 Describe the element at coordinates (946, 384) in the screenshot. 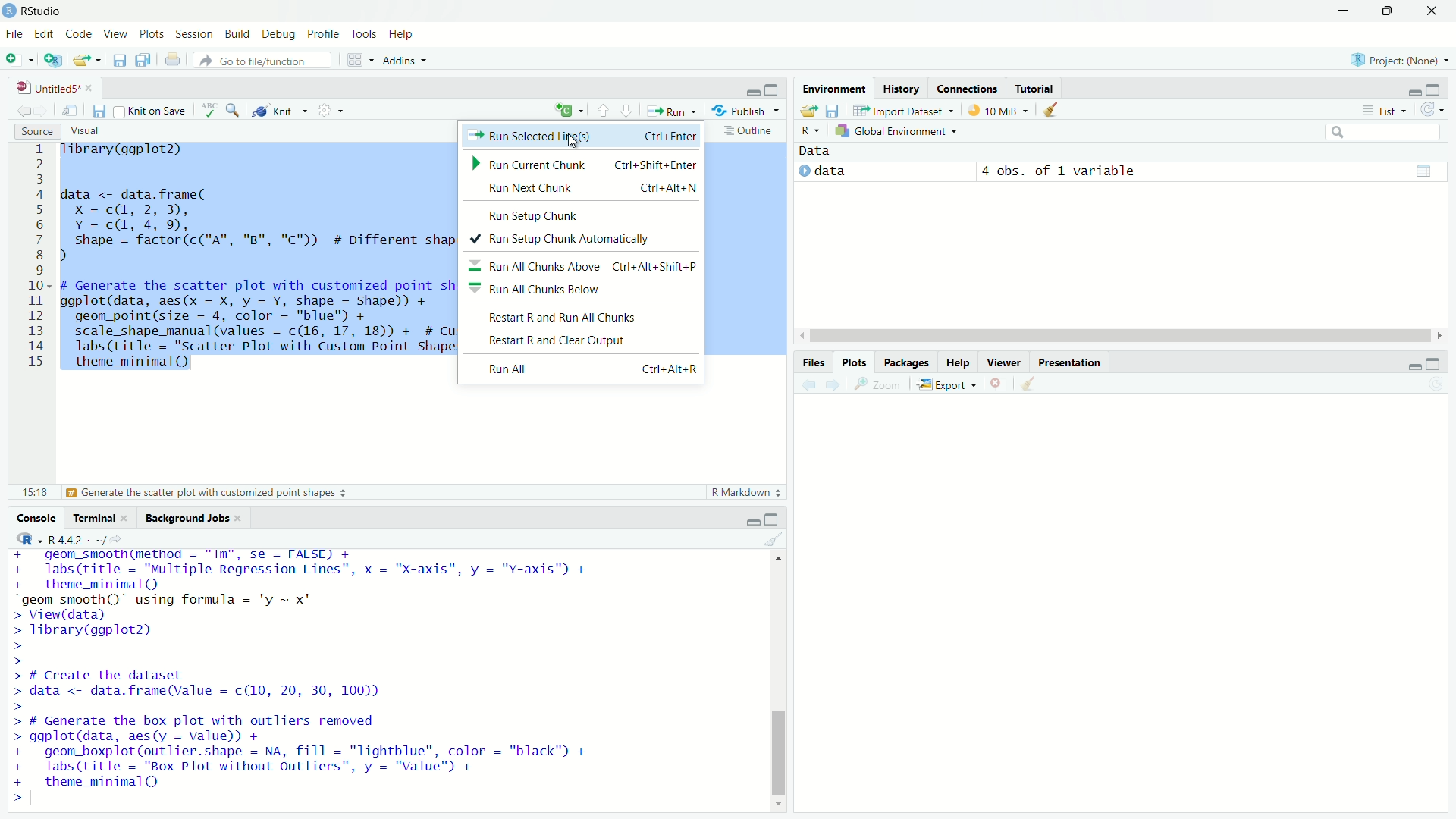

I see `Export` at that location.